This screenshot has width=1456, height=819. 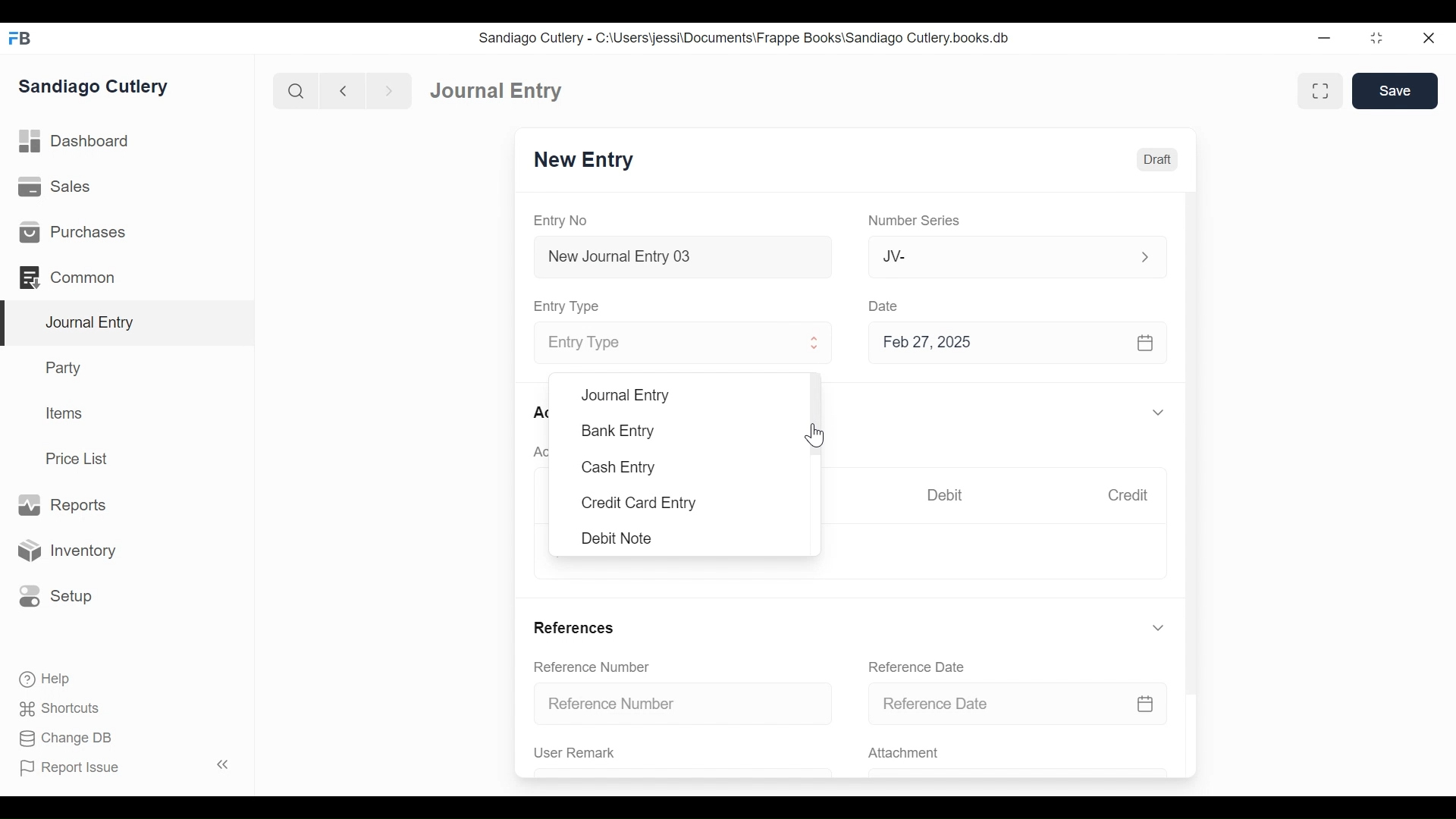 What do you see at coordinates (886, 306) in the screenshot?
I see `Date` at bounding box center [886, 306].